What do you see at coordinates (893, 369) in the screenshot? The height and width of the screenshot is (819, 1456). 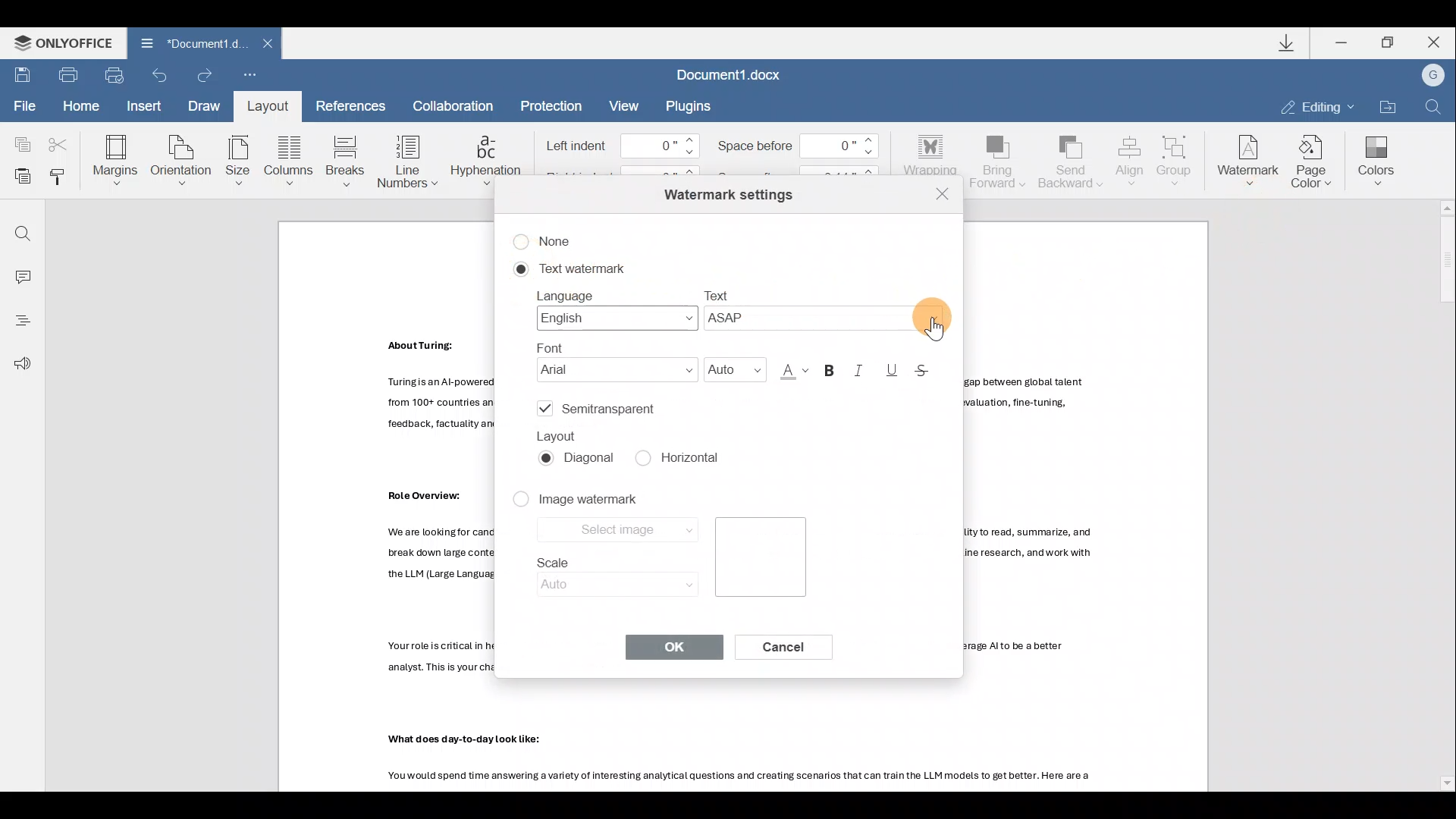 I see `Underline` at bounding box center [893, 369].